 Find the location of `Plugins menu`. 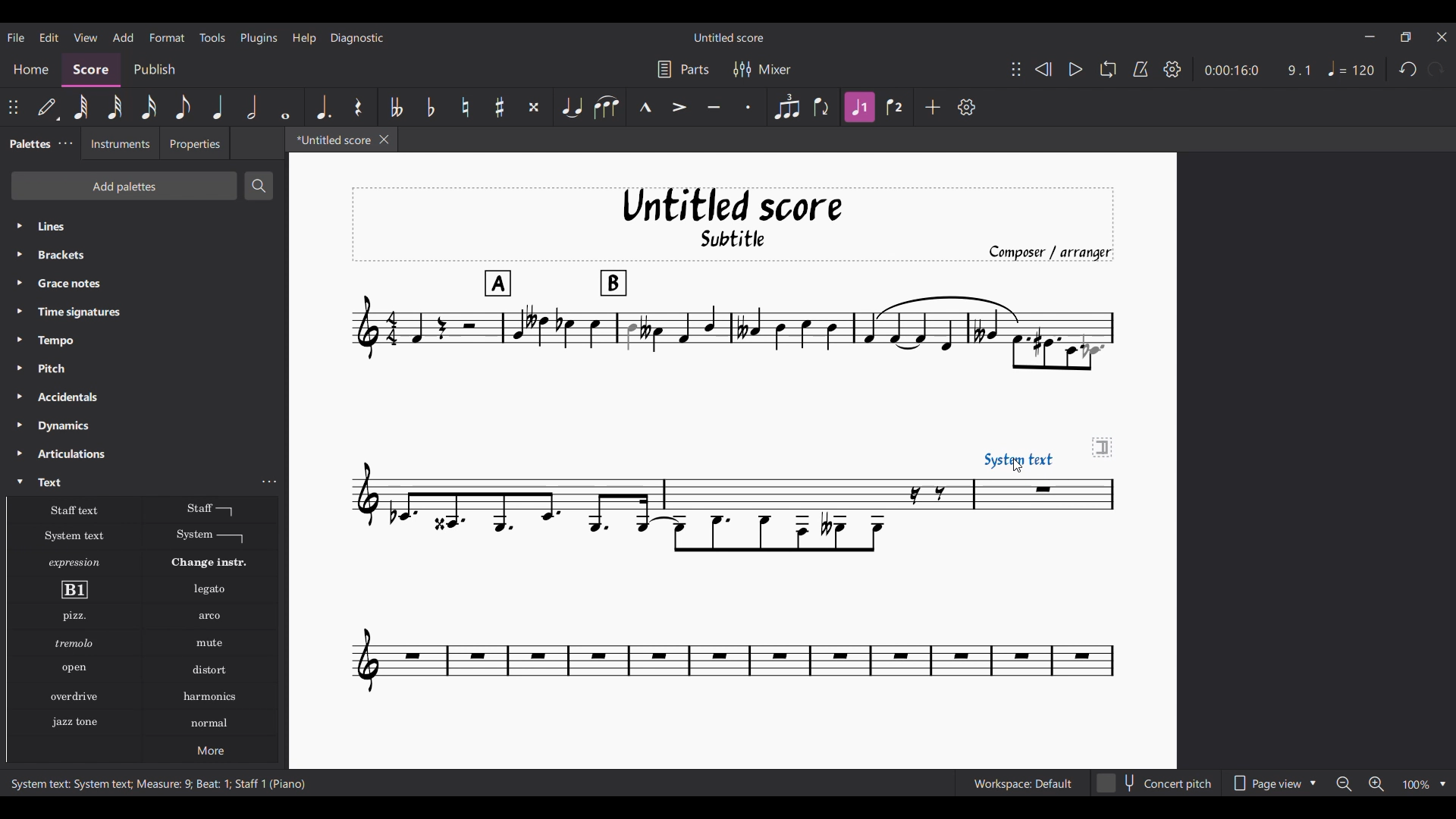

Plugins menu is located at coordinates (259, 38).